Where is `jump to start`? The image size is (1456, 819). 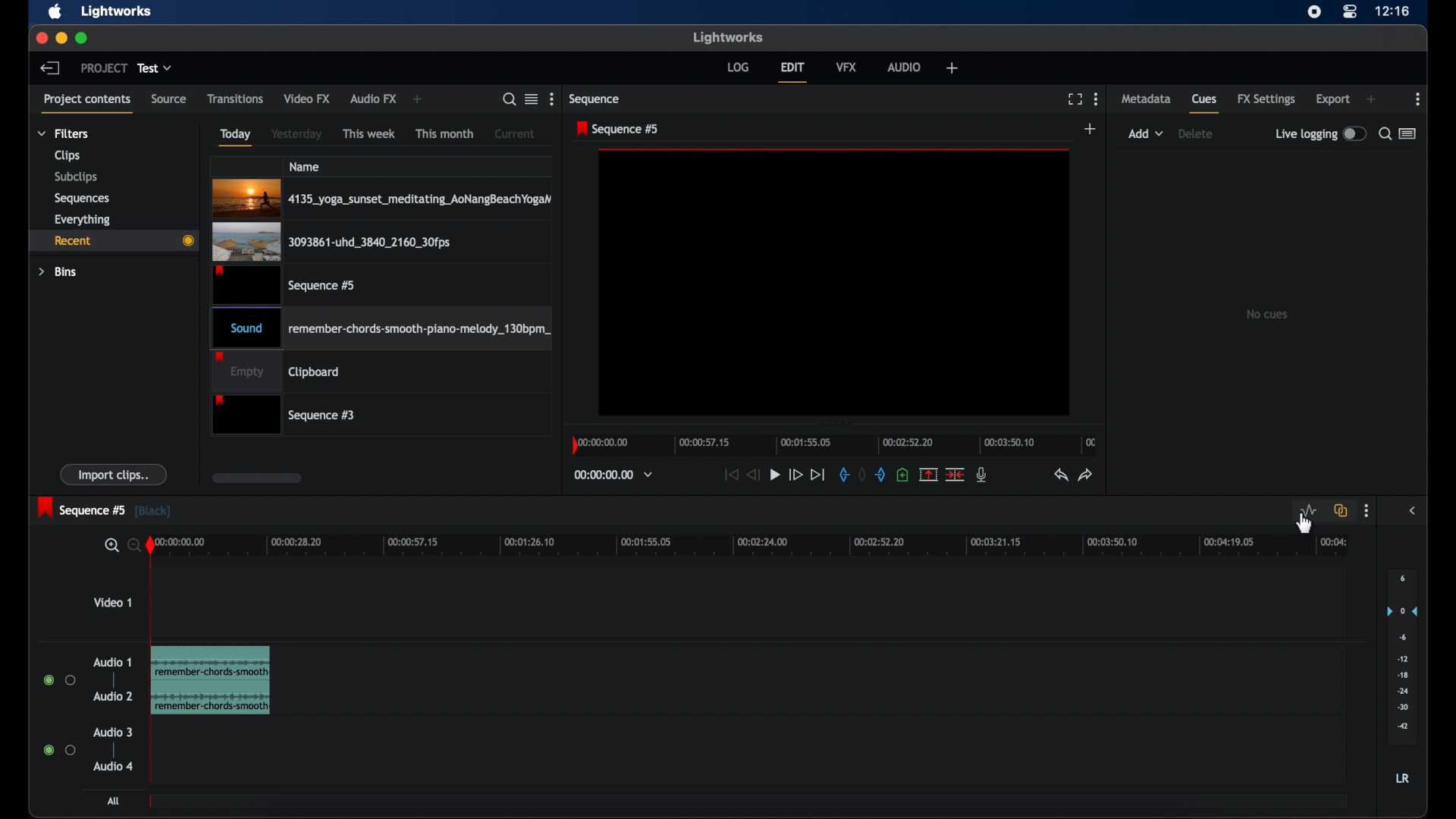 jump to start is located at coordinates (730, 475).